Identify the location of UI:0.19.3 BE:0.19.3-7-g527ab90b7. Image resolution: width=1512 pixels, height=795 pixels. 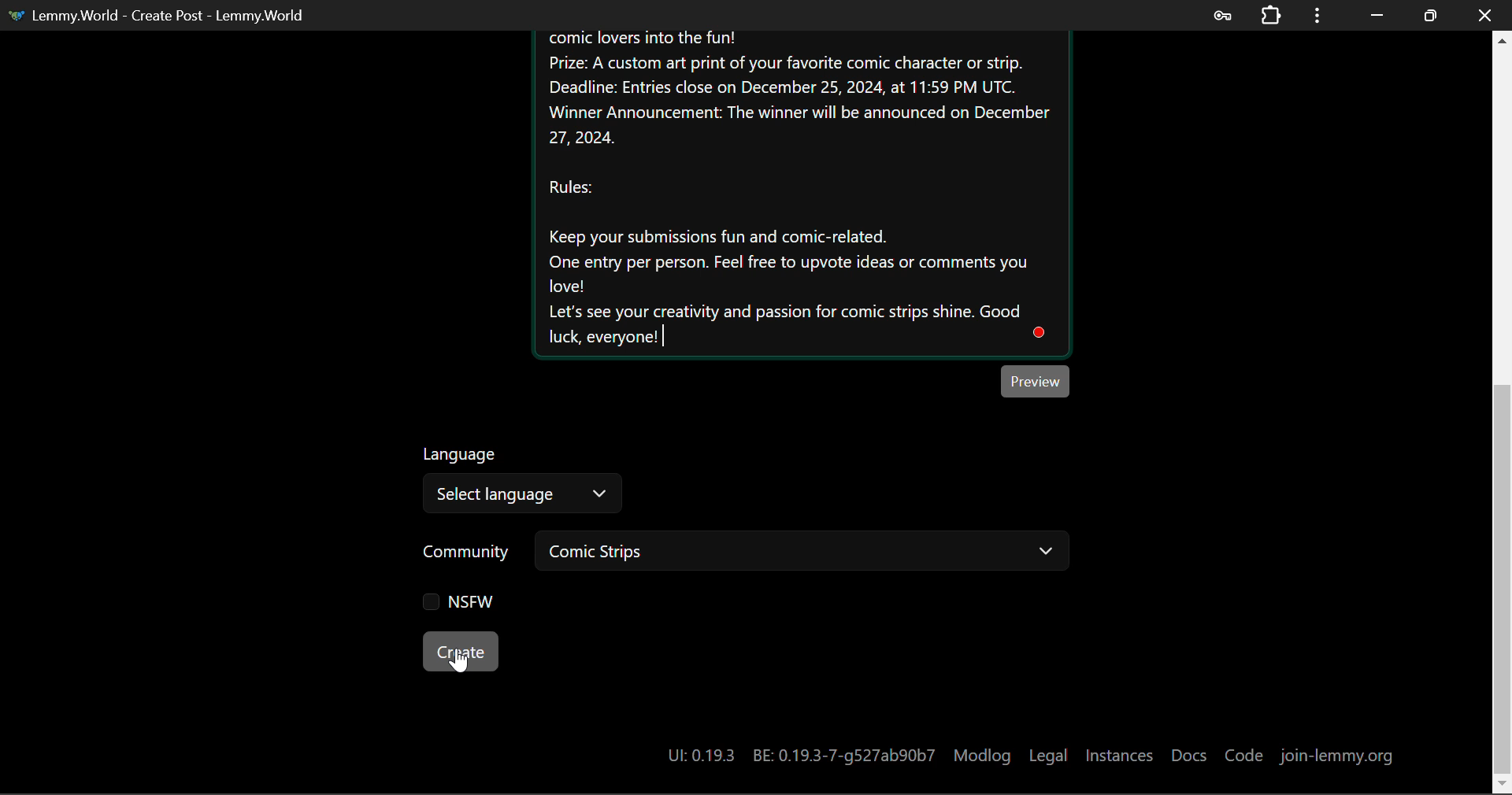
(800, 756).